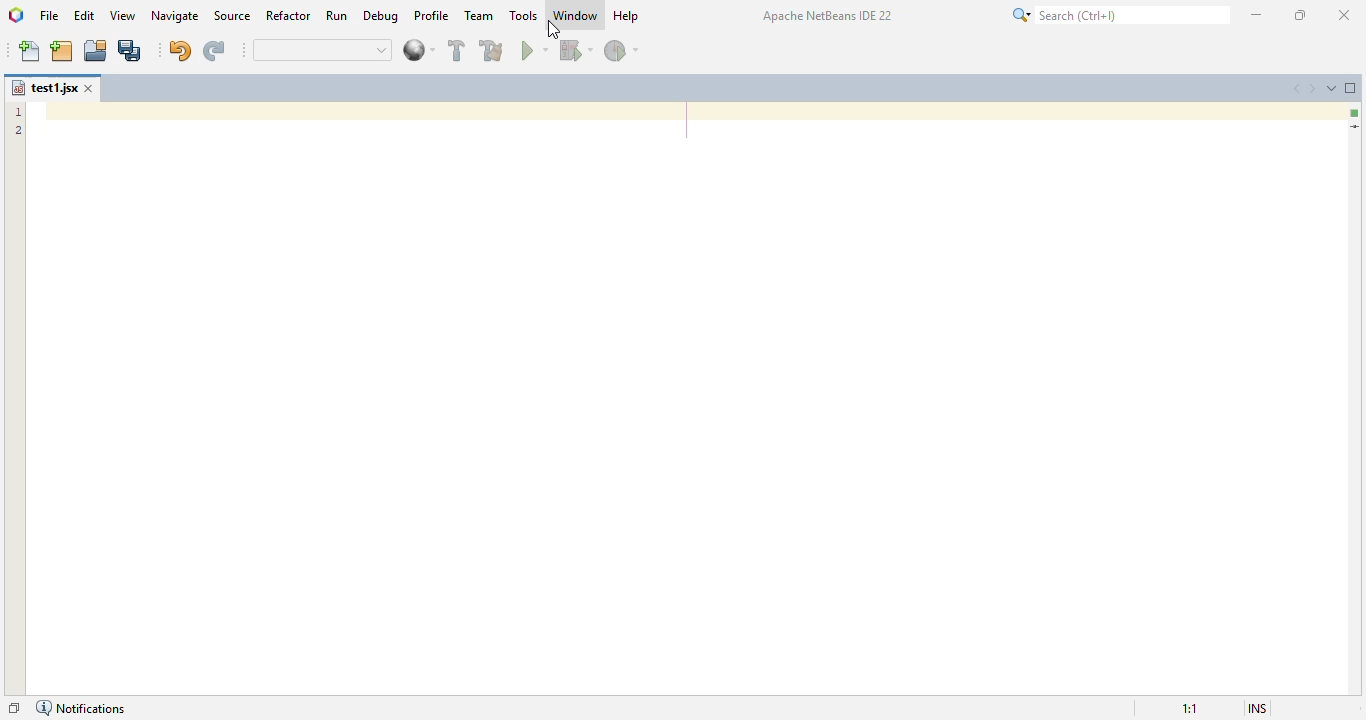  Describe the element at coordinates (322, 50) in the screenshot. I see `quick search bar` at that location.